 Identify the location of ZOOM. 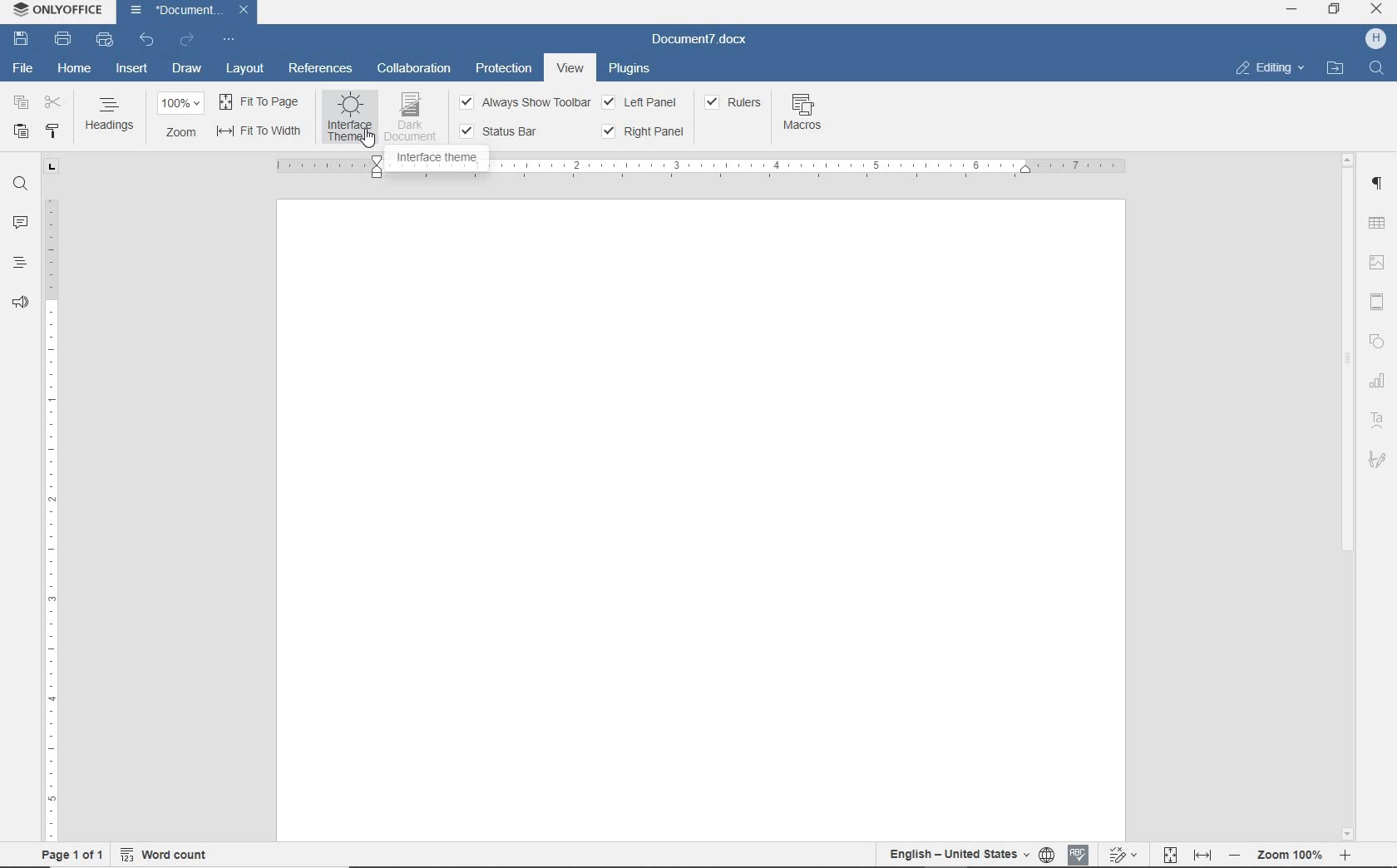
(180, 133).